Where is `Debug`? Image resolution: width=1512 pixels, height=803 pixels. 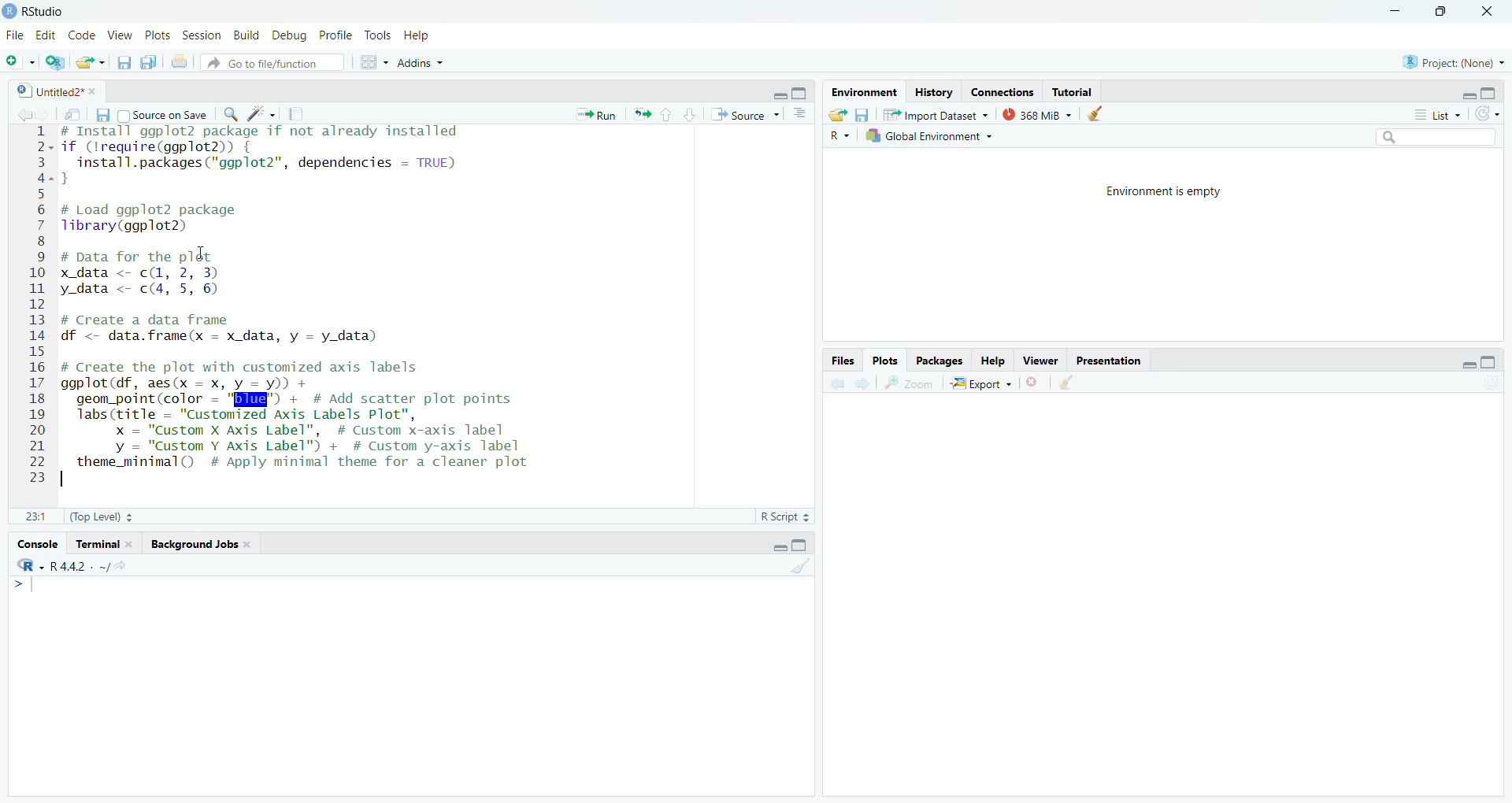 Debug is located at coordinates (291, 35).